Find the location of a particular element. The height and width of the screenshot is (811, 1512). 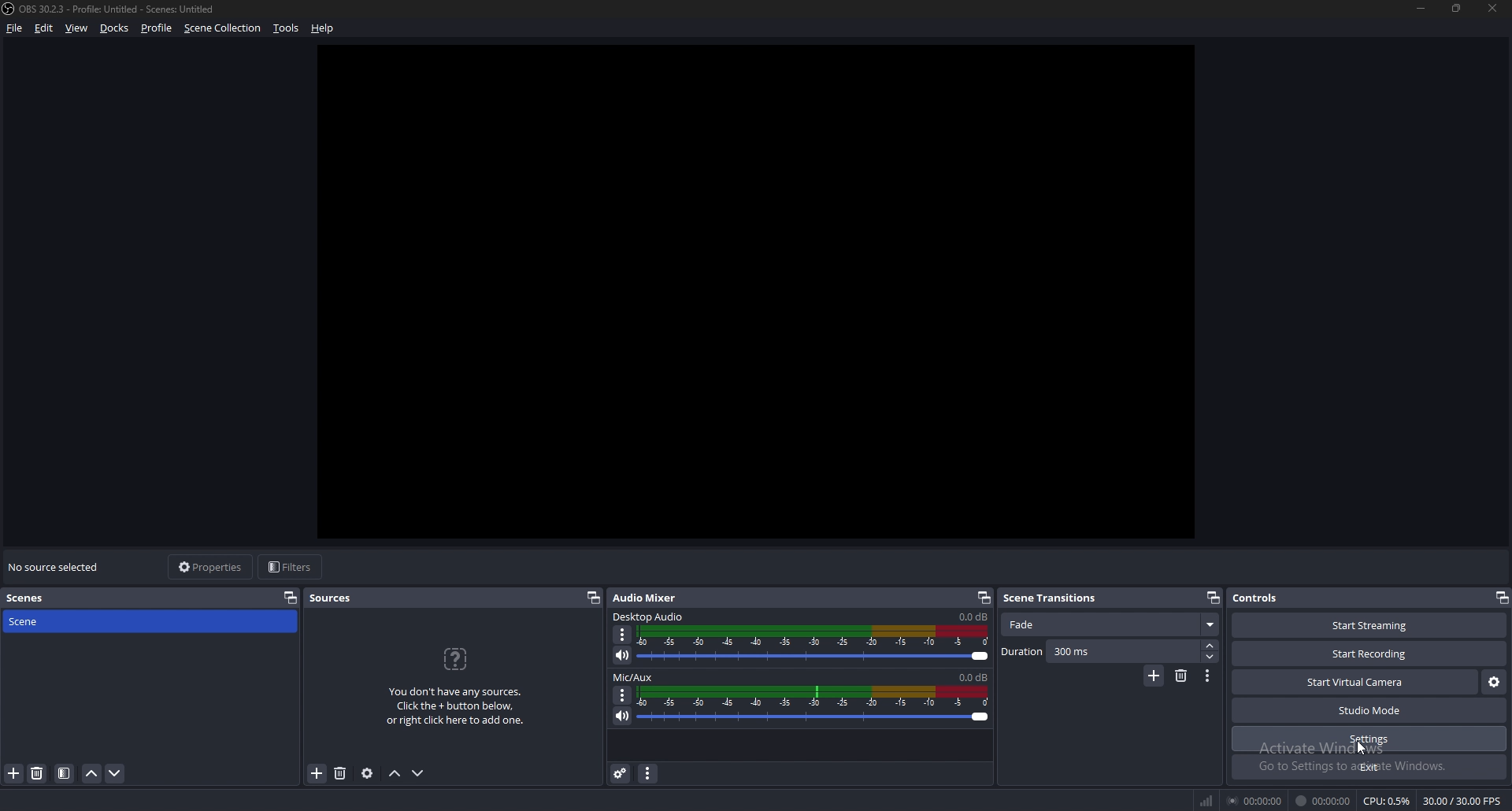

start streaming is located at coordinates (1369, 625).